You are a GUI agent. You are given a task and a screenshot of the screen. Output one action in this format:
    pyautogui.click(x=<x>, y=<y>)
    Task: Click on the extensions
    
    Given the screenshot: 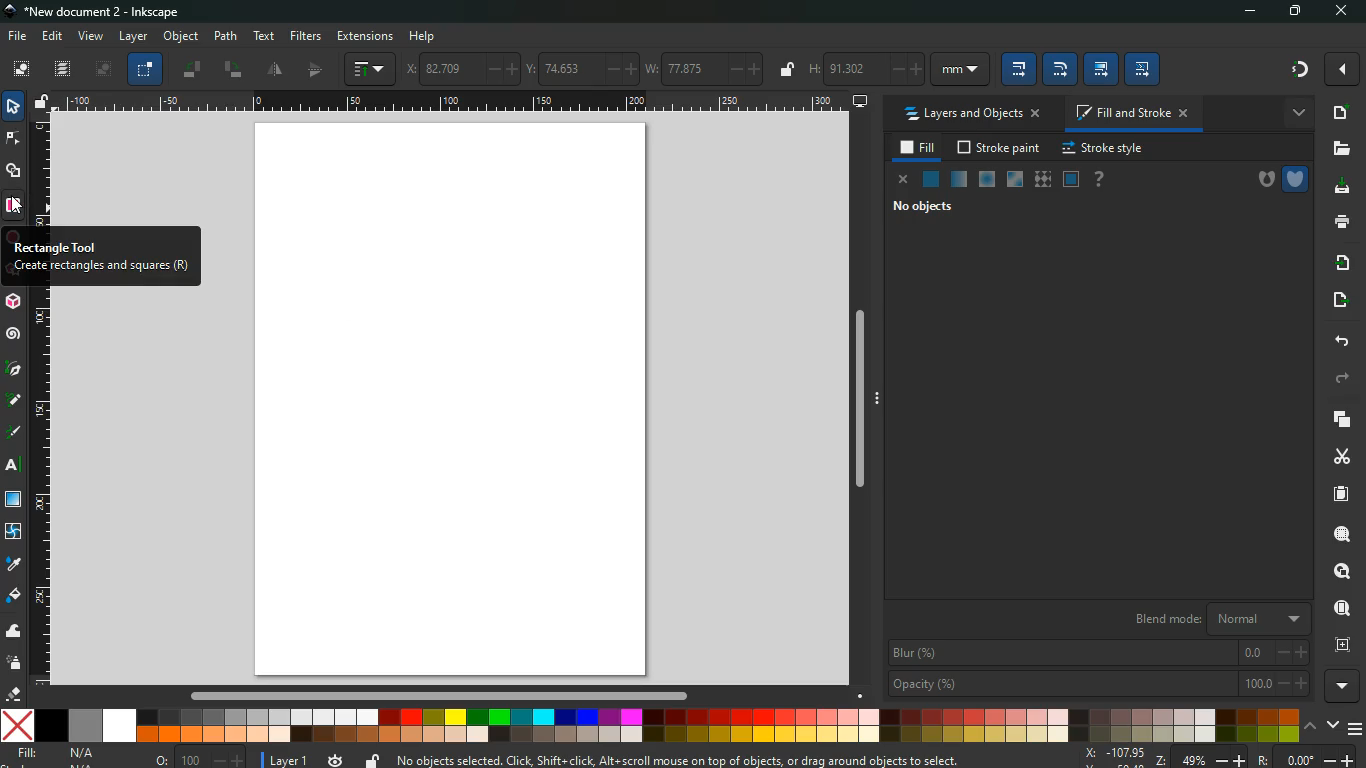 What is the action you would take?
    pyautogui.click(x=365, y=36)
    